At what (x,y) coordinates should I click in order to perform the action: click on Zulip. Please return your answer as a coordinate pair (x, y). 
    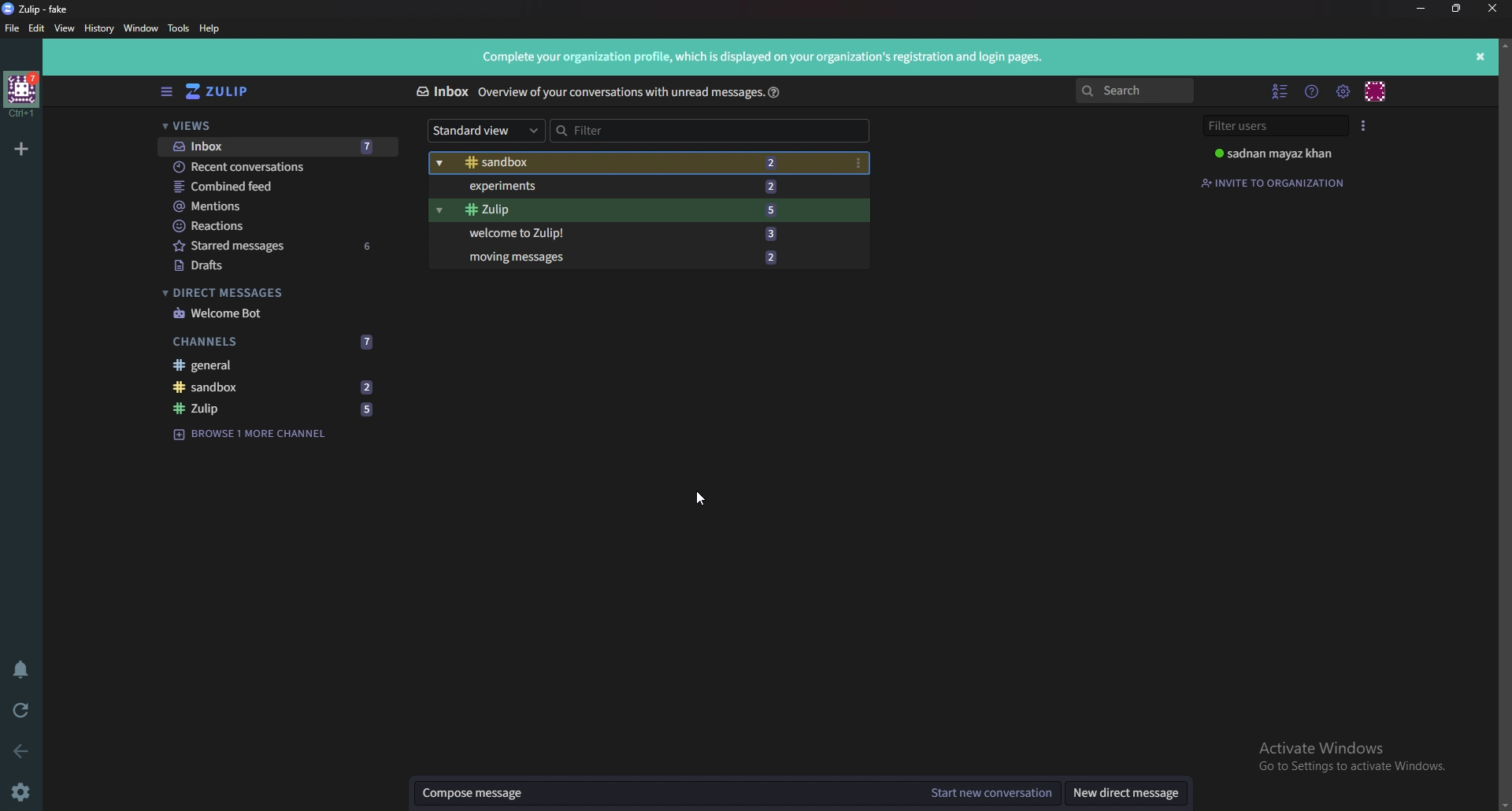
    Looking at the image, I should click on (621, 210).